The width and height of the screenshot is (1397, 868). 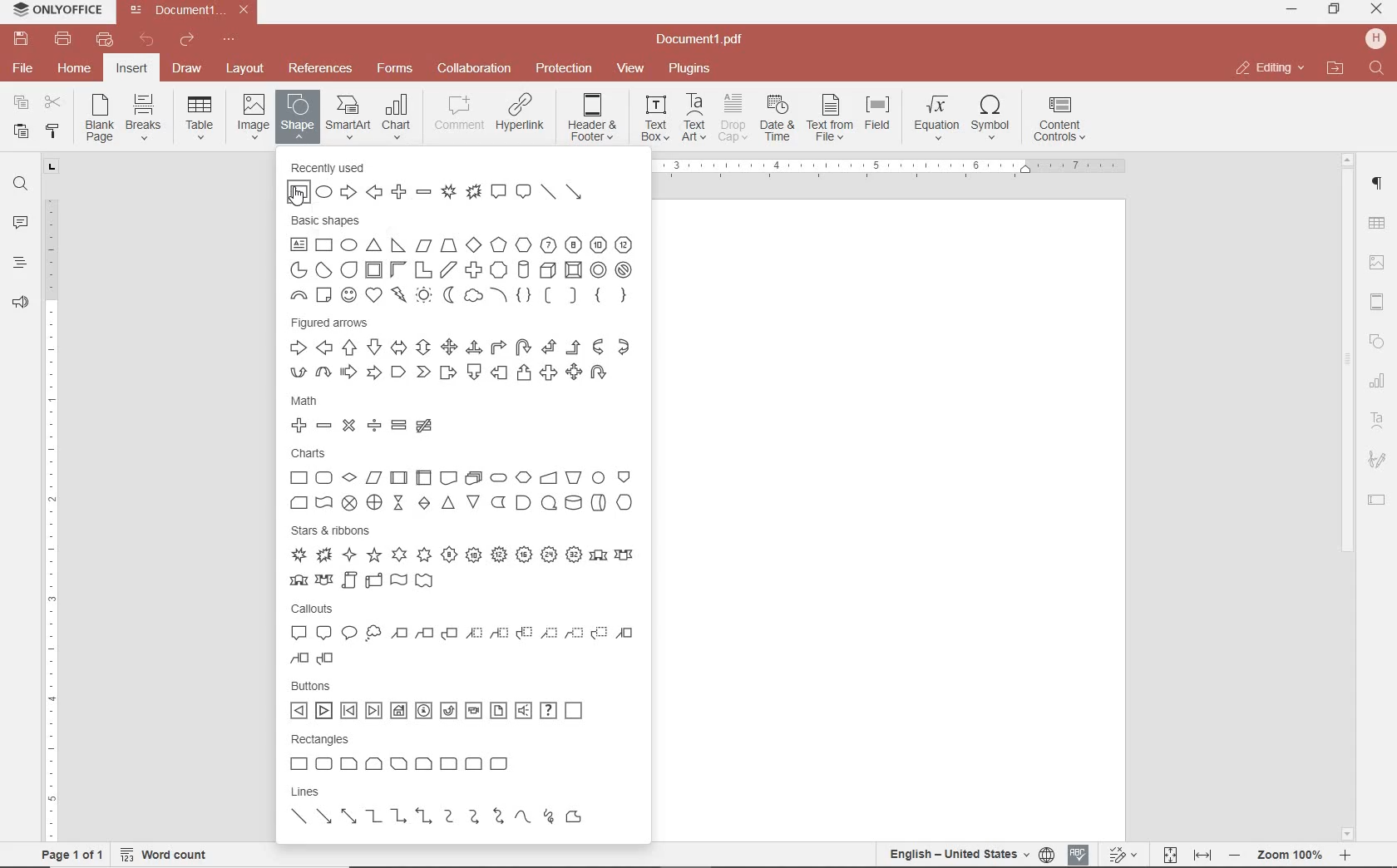 What do you see at coordinates (462, 478) in the screenshot?
I see `CHARTS` at bounding box center [462, 478].